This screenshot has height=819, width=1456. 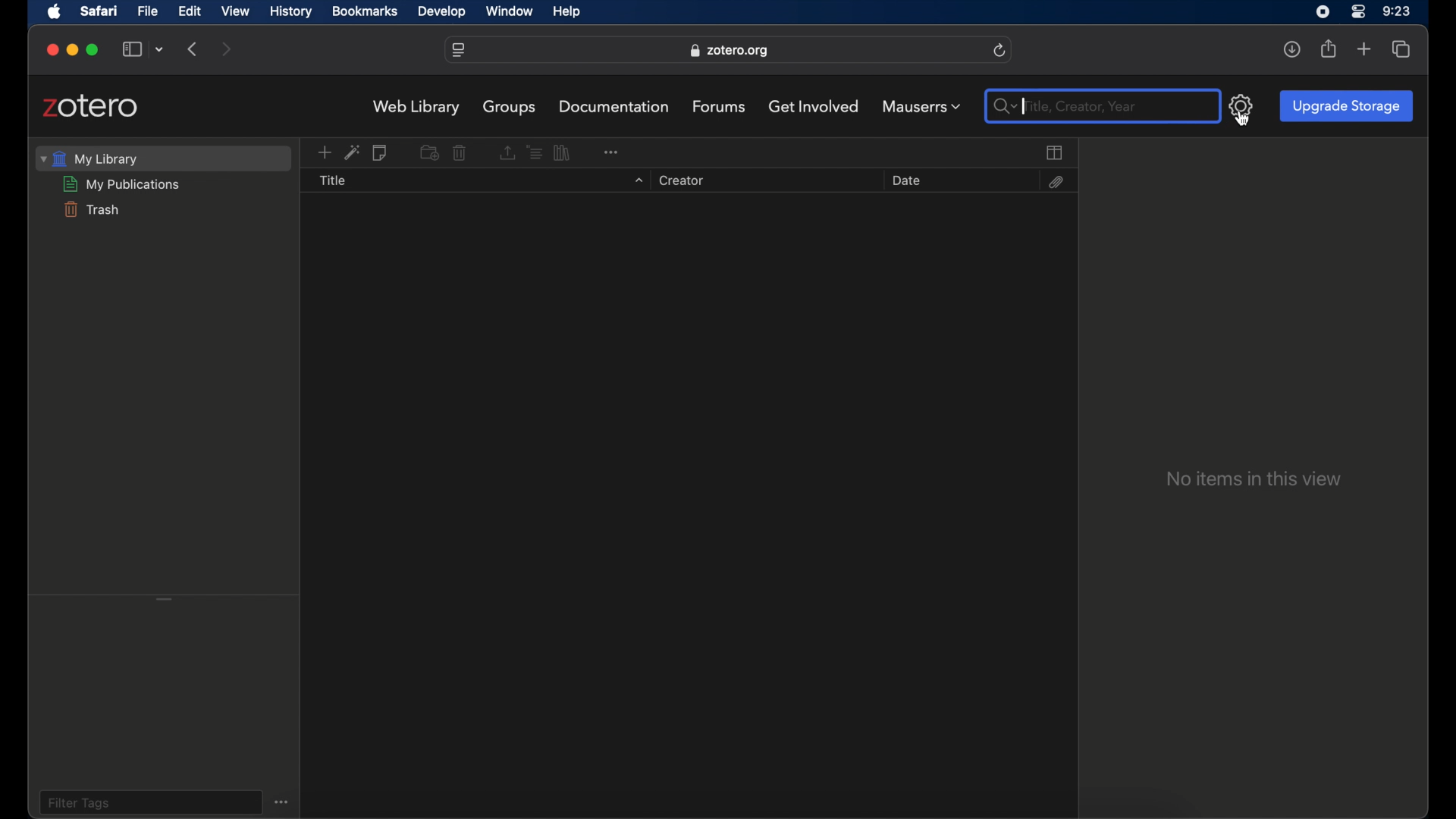 I want to click on add by identifier, so click(x=352, y=152).